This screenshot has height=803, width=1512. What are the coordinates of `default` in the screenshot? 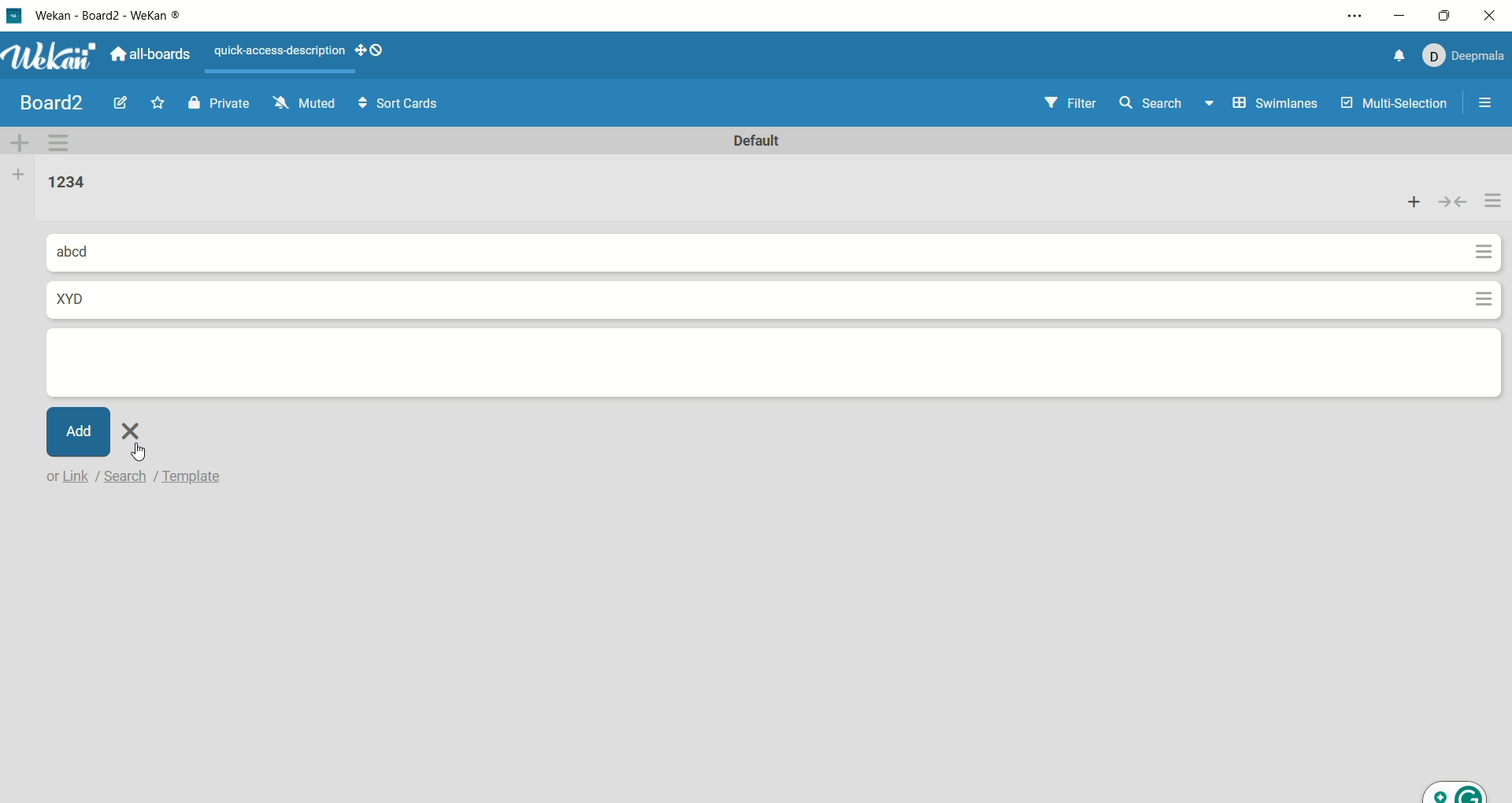 It's located at (755, 139).